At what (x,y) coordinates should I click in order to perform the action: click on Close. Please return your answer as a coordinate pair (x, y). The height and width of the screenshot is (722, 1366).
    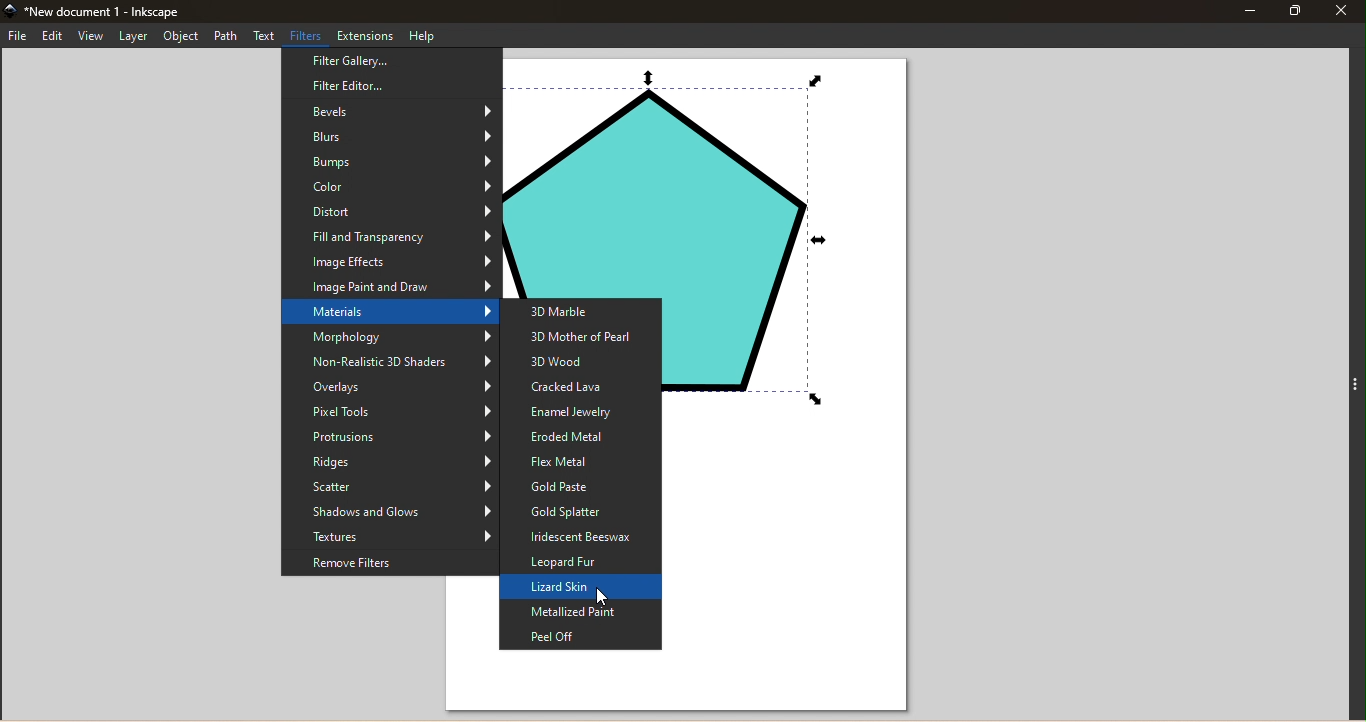
    Looking at the image, I should click on (1344, 10).